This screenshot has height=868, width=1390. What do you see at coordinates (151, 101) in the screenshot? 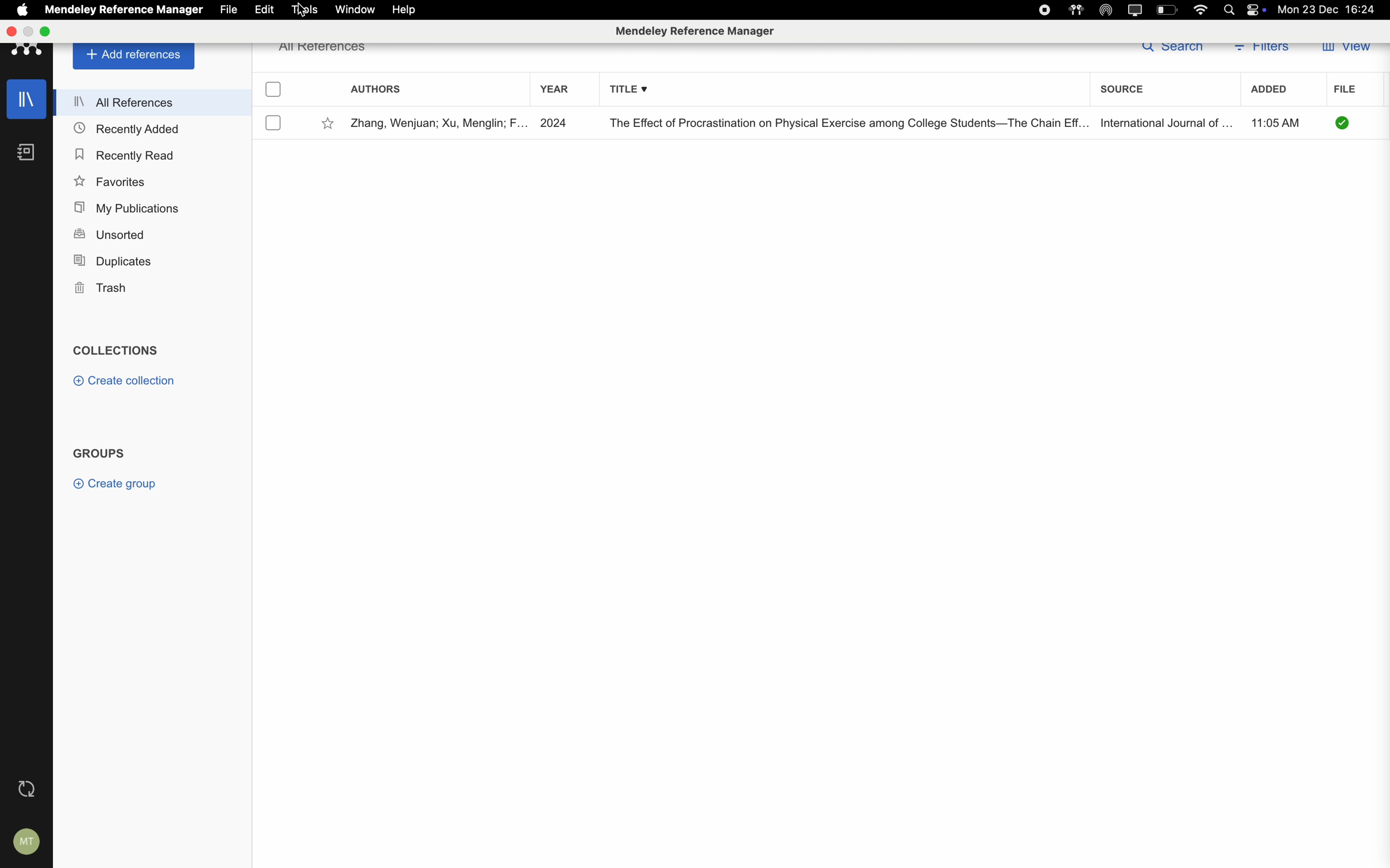
I see `all references` at bounding box center [151, 101].